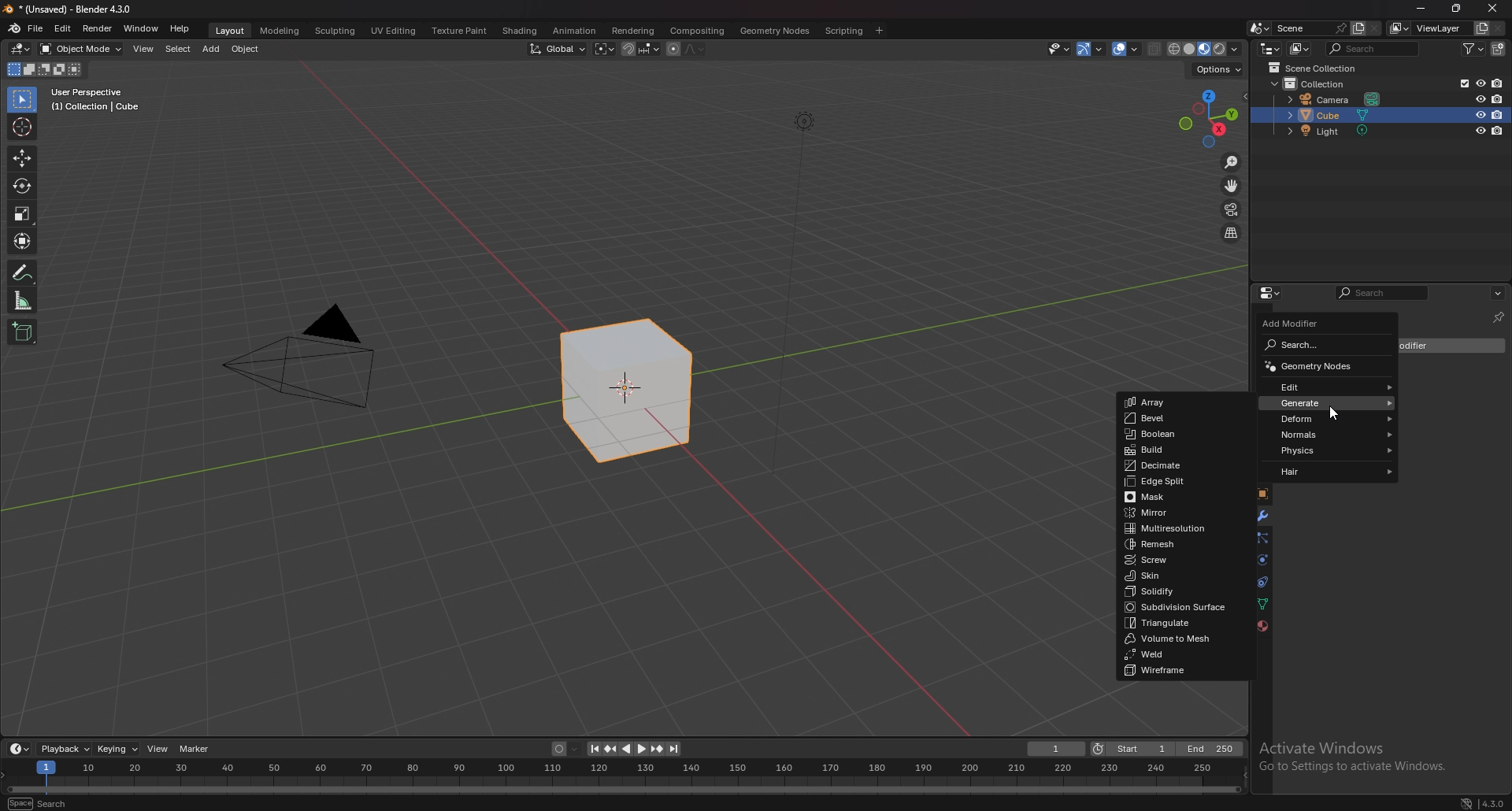 The height and width of the screenshot is (811, 1512). What do you see at coordinates (1381, 293) in the screenshot?
I see `search` at bounding box center [1381, 293].